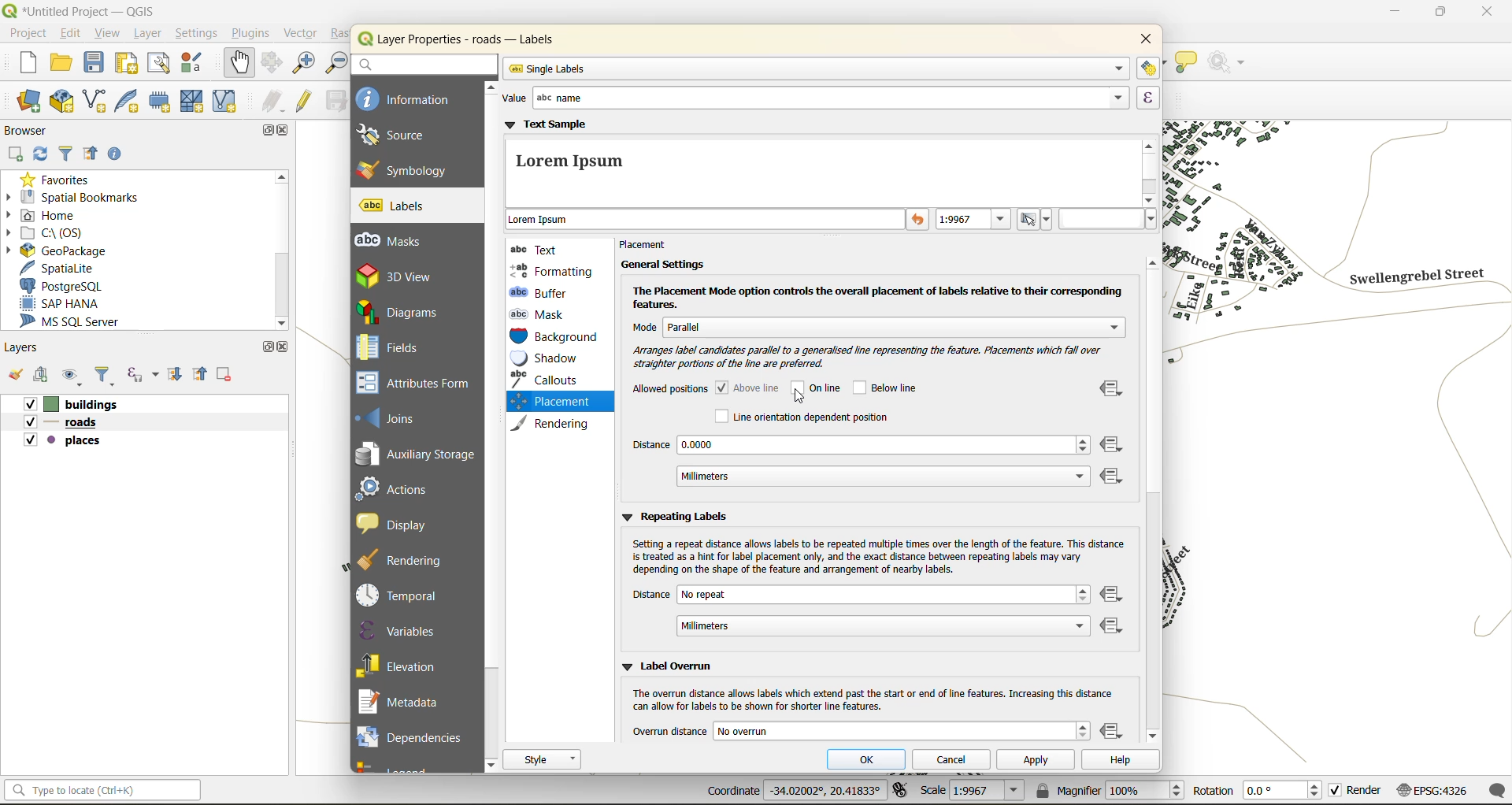 The image size is (1512, 805). Describe the element at coordinates (1483, 13) in the screenshot. I see `close` at that location.